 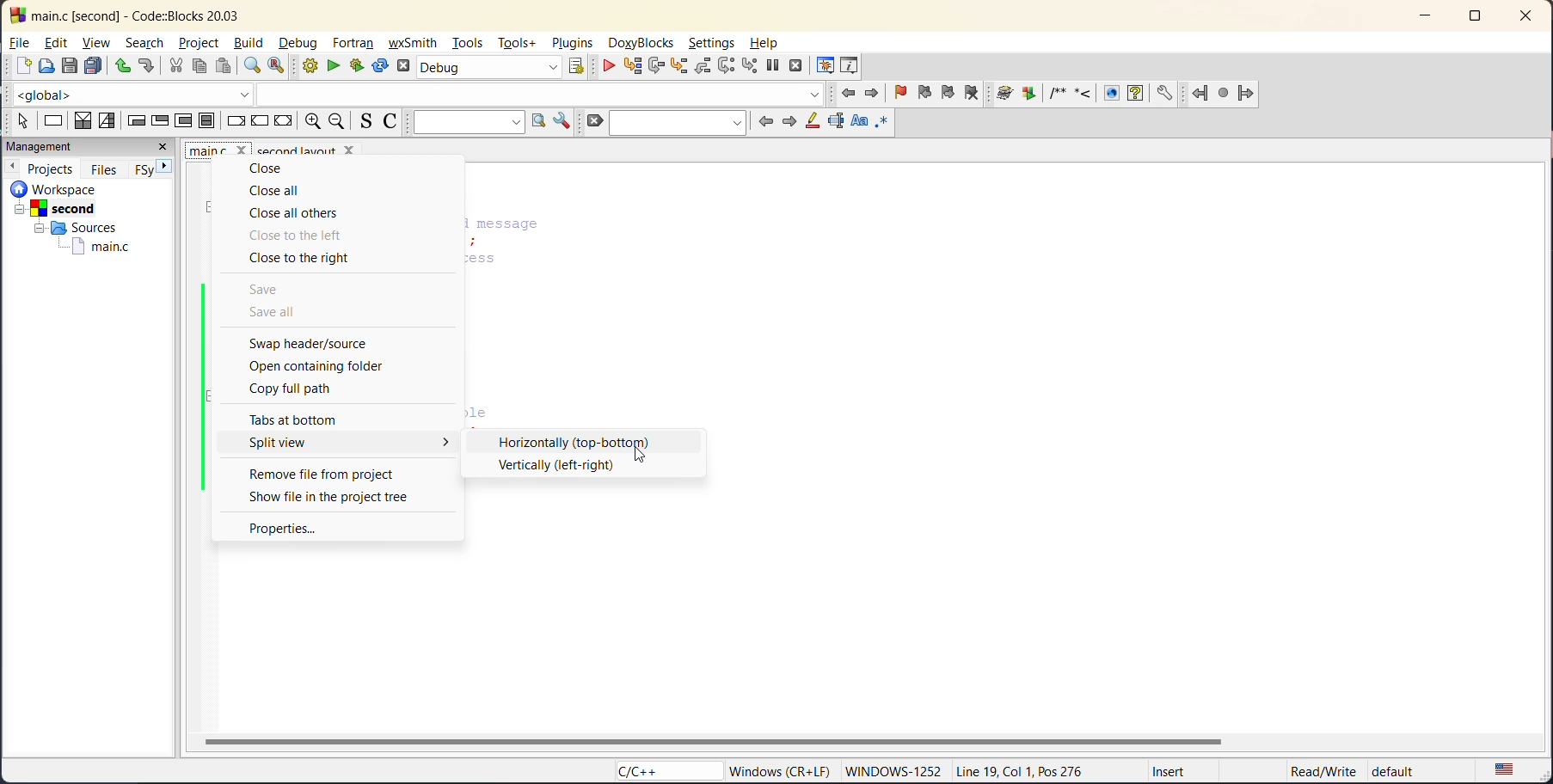 What do you see at coordinates (882, 124) in the screenshot?
I see `regex` at bounding box center [882, 124].